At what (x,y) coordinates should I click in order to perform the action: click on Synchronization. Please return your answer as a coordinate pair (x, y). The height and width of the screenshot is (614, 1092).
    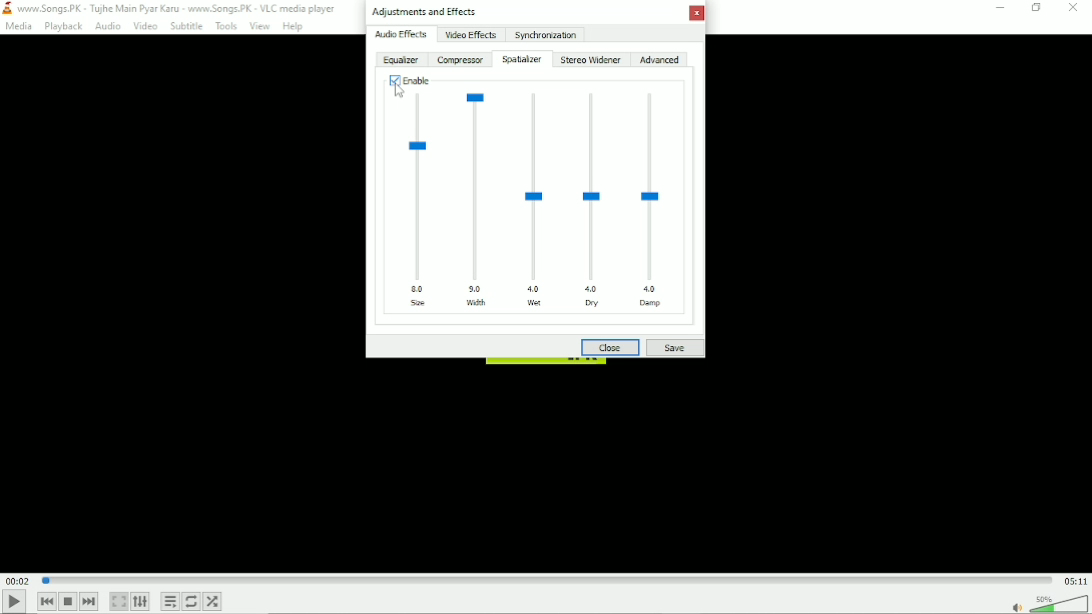
    Looking at the image, I should click on (546, 34).